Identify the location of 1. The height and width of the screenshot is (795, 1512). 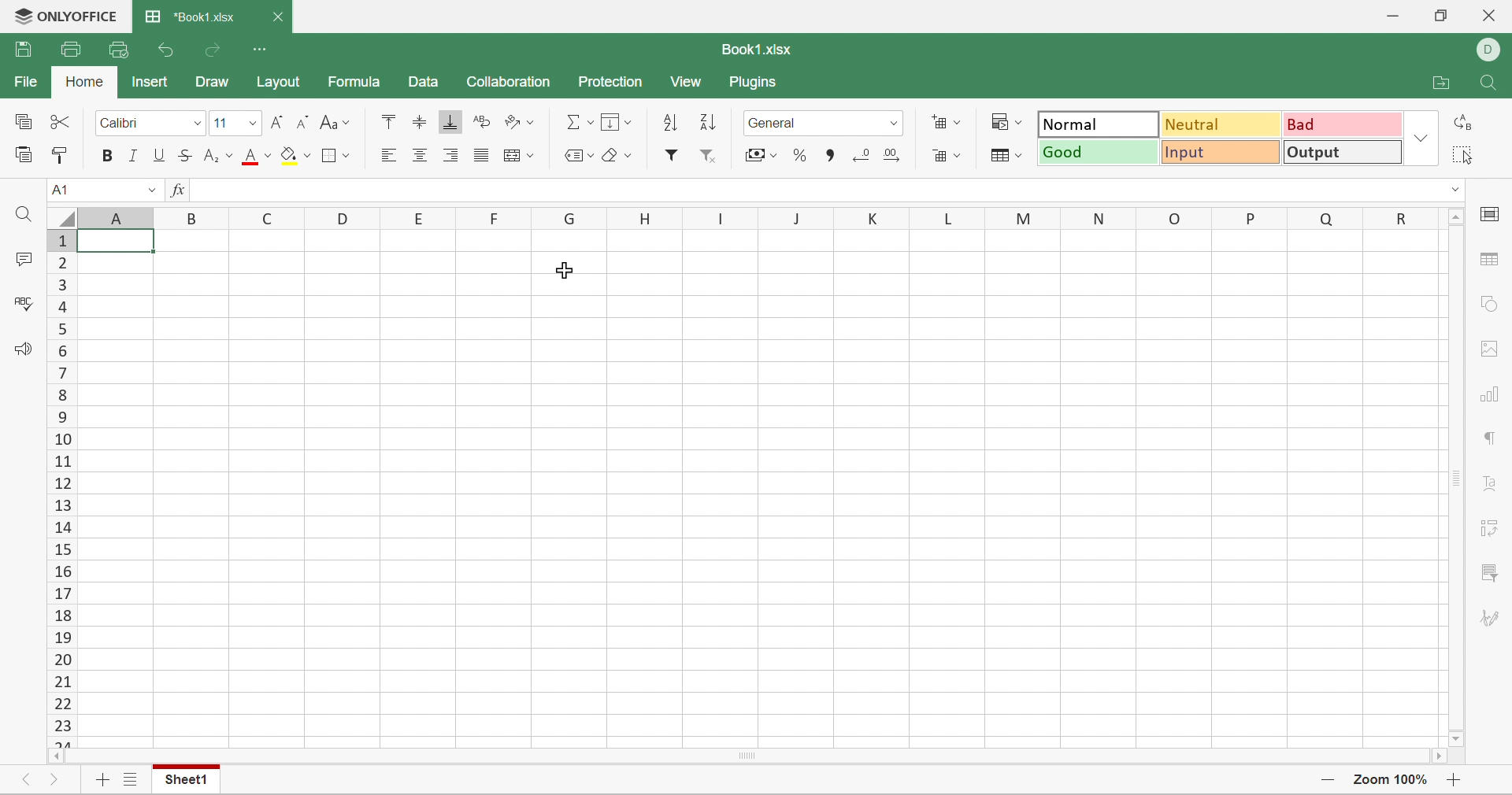
(58, 242).